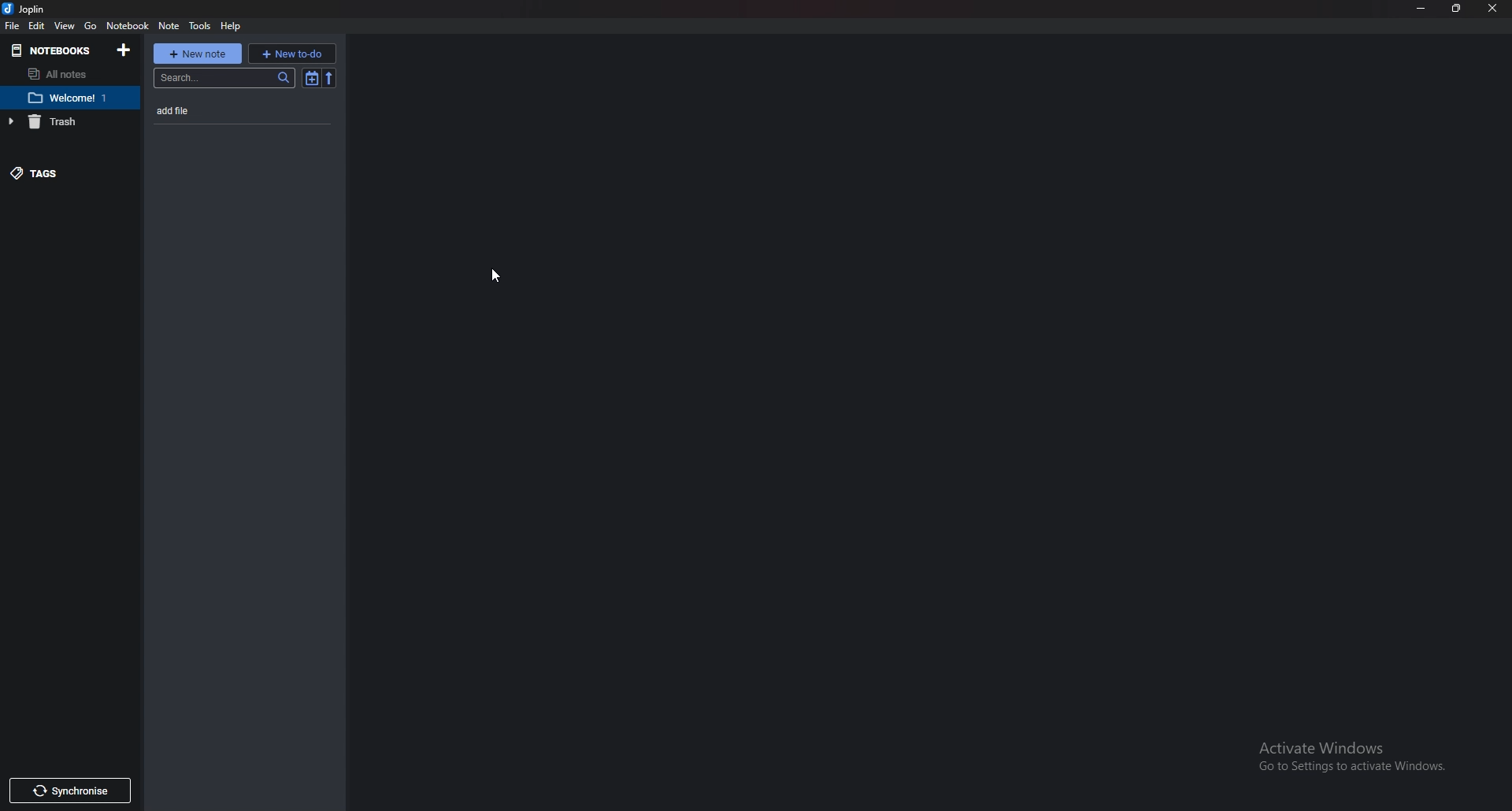 Image resolution: width=1512 pixels, height=811 pixels. What do you see at coordinates (170, 25) in the screenshot?
I see `note` at bounding box center [170, 25].